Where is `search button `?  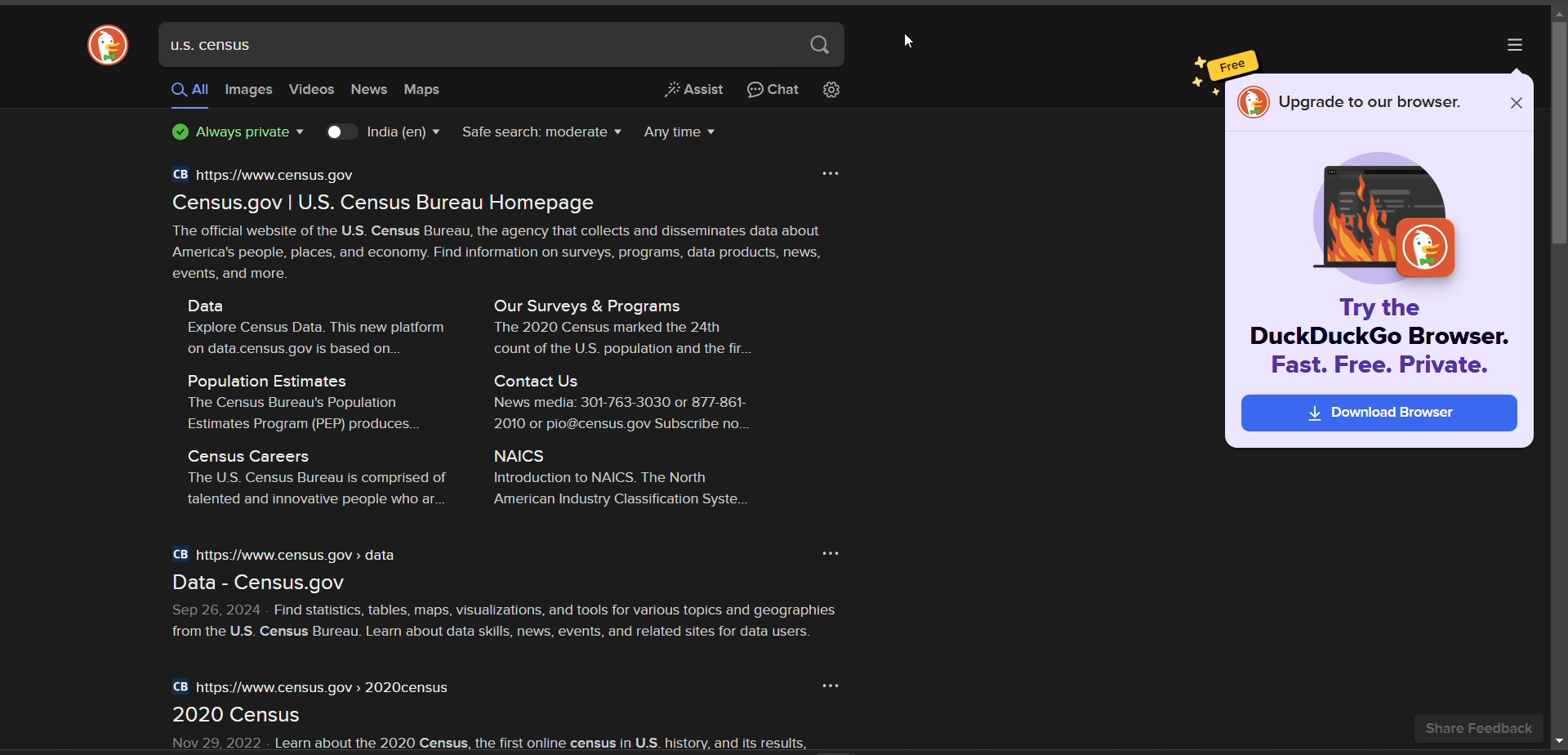 search button  is located at coordinates (822, 43).